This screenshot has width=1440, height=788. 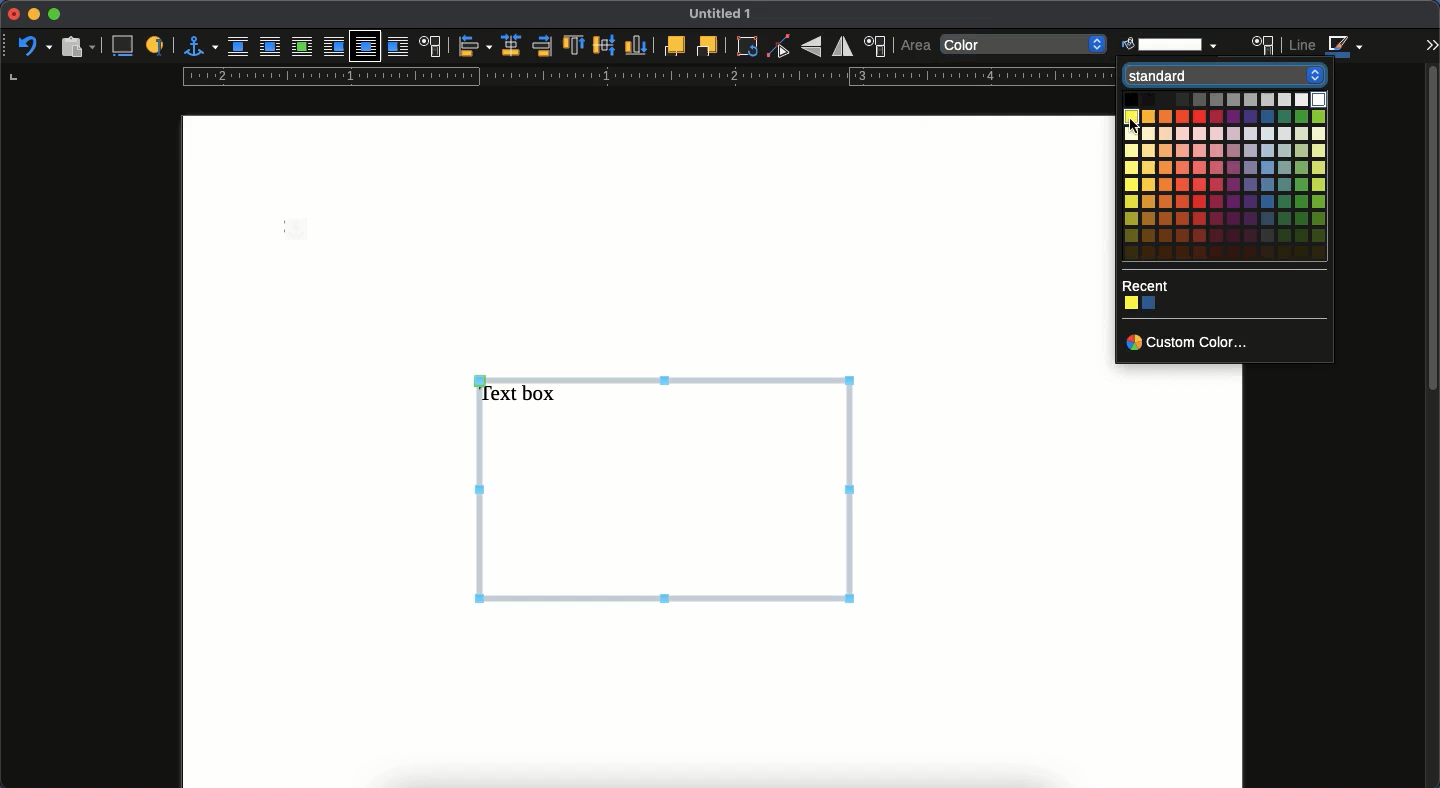 What do you see at coordinates (843, 46) in the screenshot?
I see `rotate horizontally ` at bounding box center [843, 46].